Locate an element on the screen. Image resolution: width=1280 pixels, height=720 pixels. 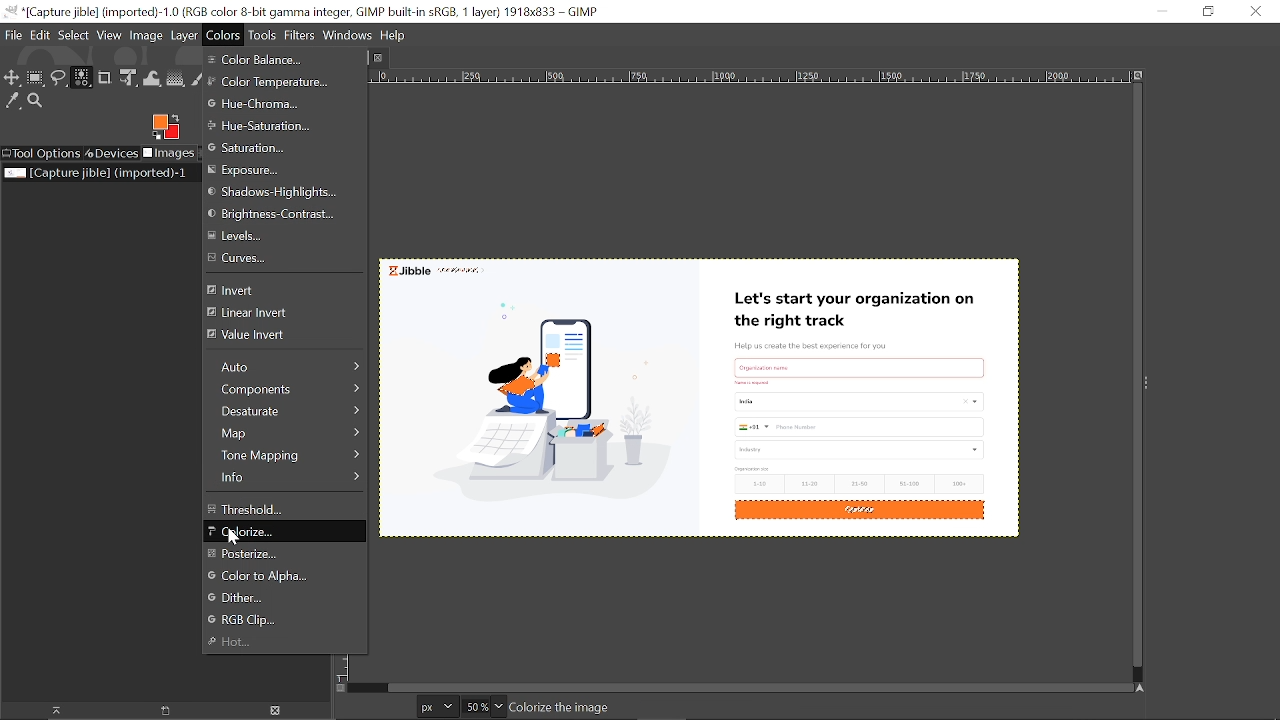
Unit of the current image is located at coordinates (438, 706).